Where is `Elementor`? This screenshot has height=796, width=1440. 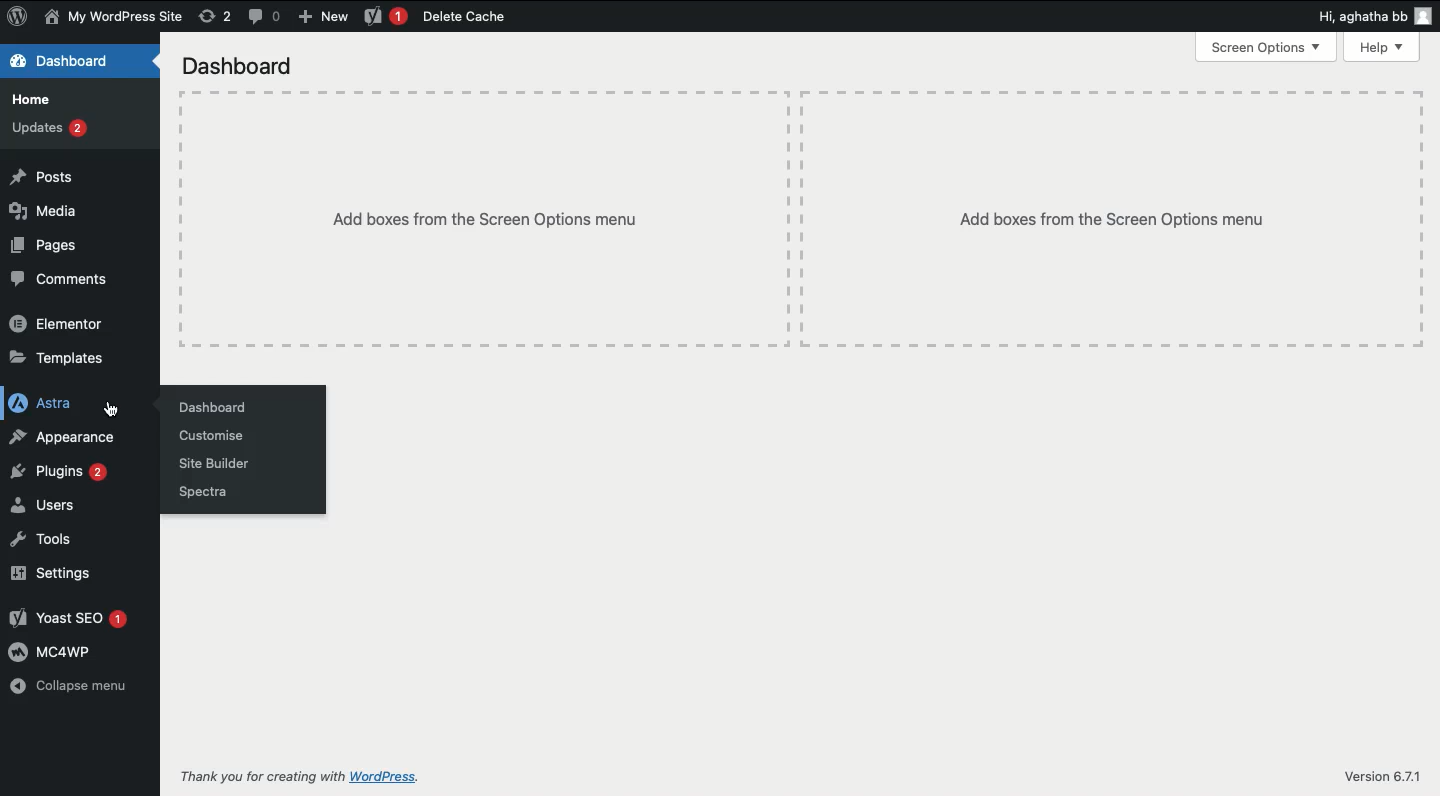 Elementor is located at coordinates (56, 321).